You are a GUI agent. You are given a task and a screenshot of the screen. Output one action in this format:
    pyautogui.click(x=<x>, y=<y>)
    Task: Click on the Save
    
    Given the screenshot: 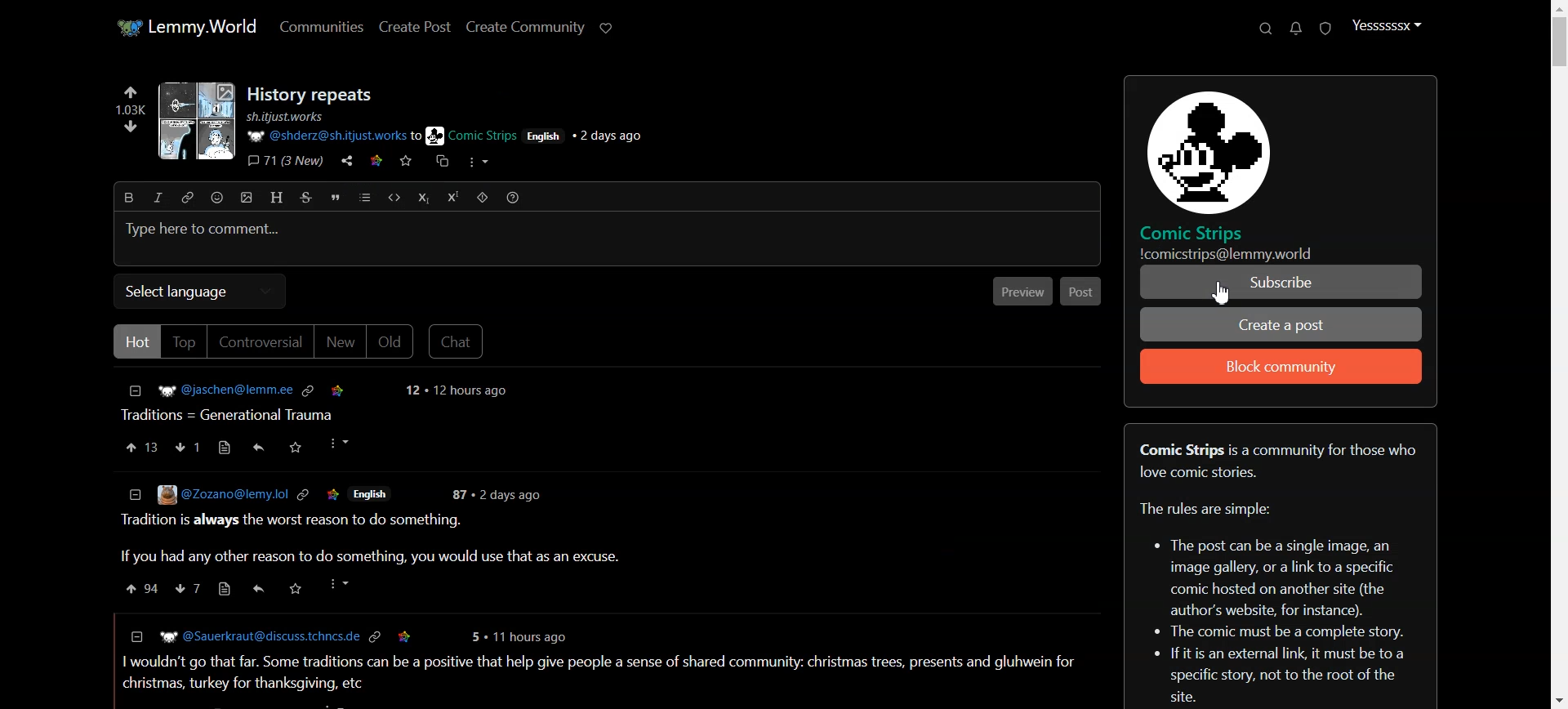 What is the action you would take?
    pyautogui.click(x=333, y=493)
    